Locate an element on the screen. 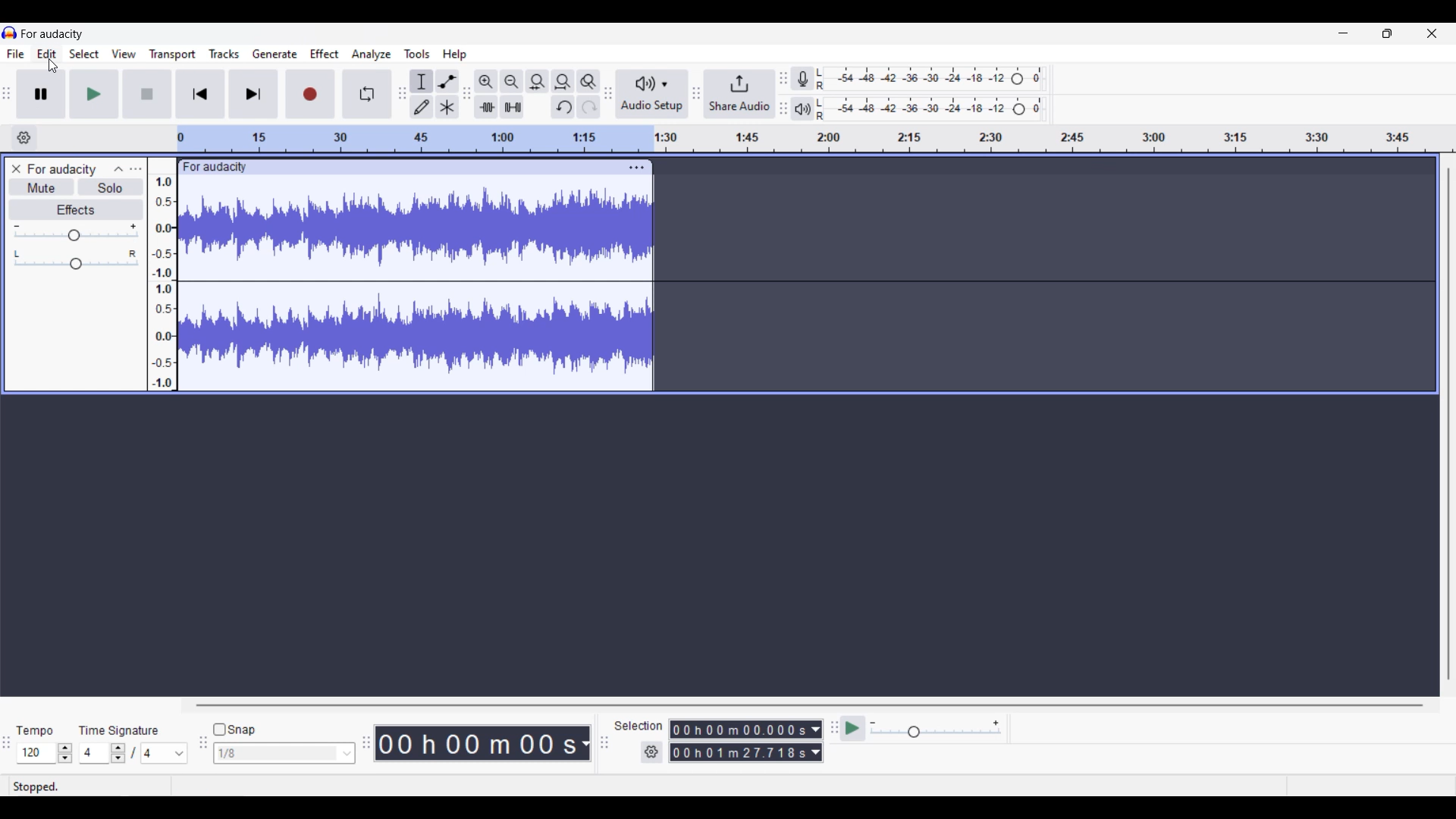  Envelop tool is located at coordinates (447, 81).